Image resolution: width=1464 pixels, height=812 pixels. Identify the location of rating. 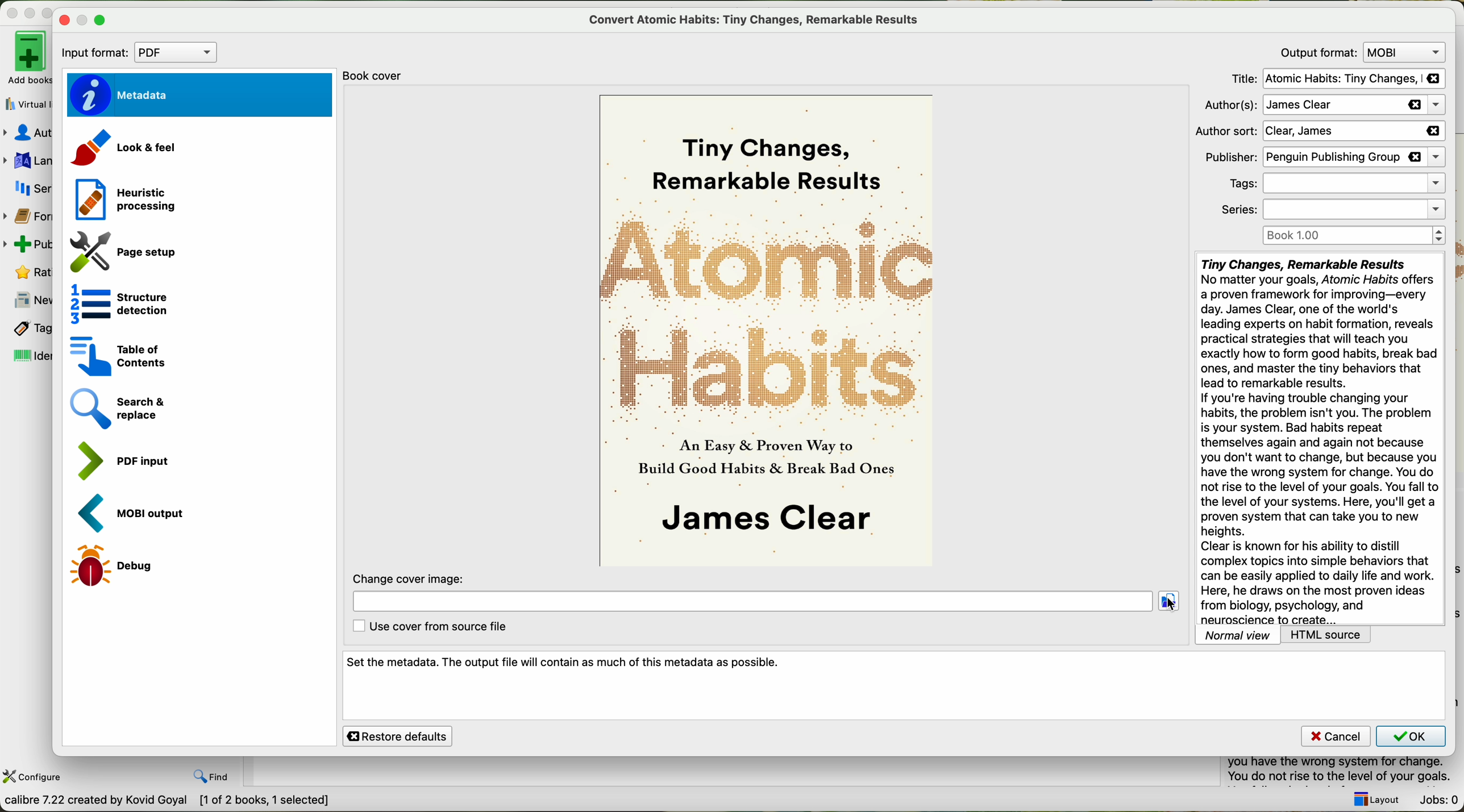
(31, 271).